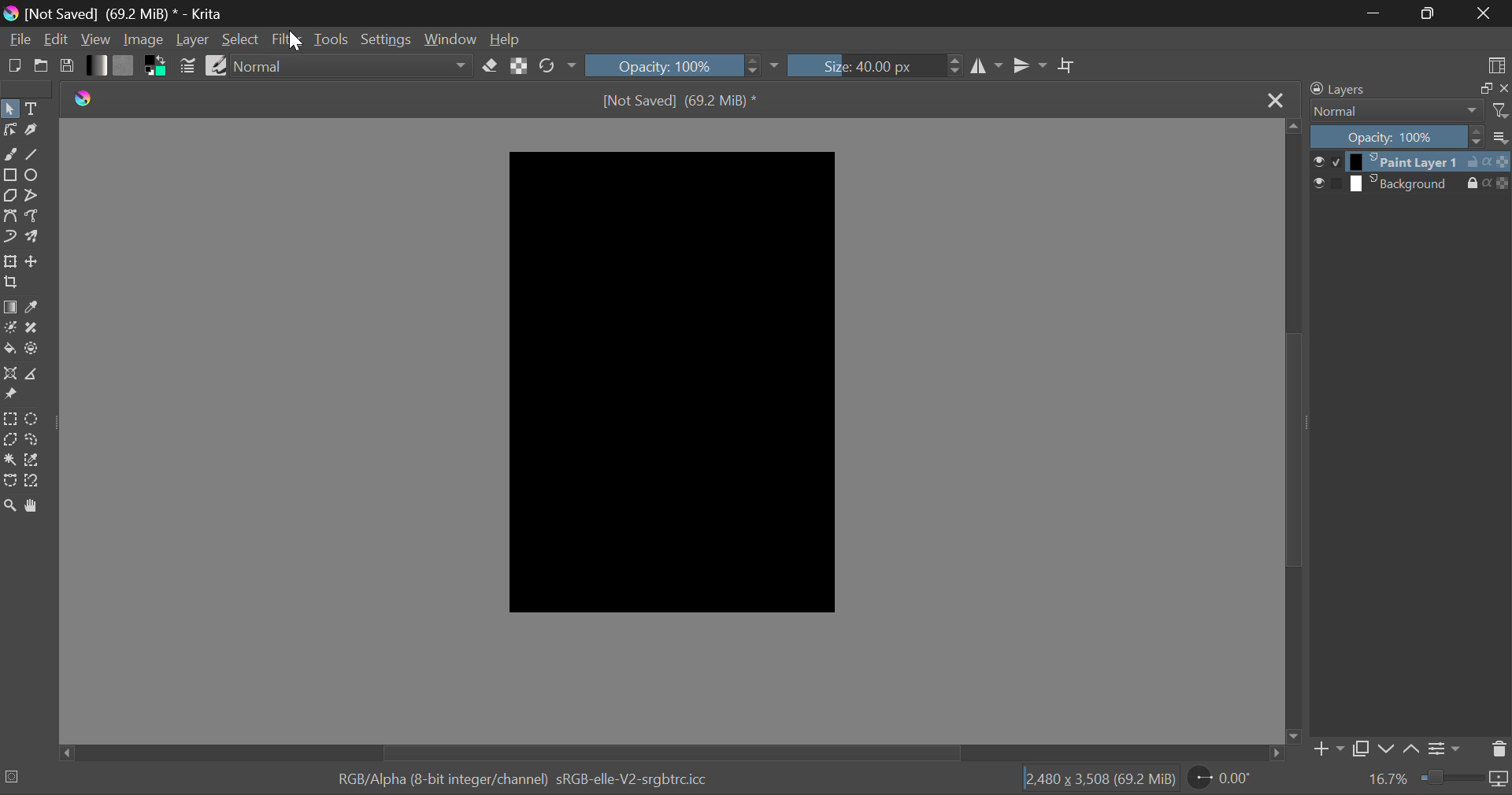  Describe the element at coordinates (504, 40) in the screenshot. I see `Help` at that location.